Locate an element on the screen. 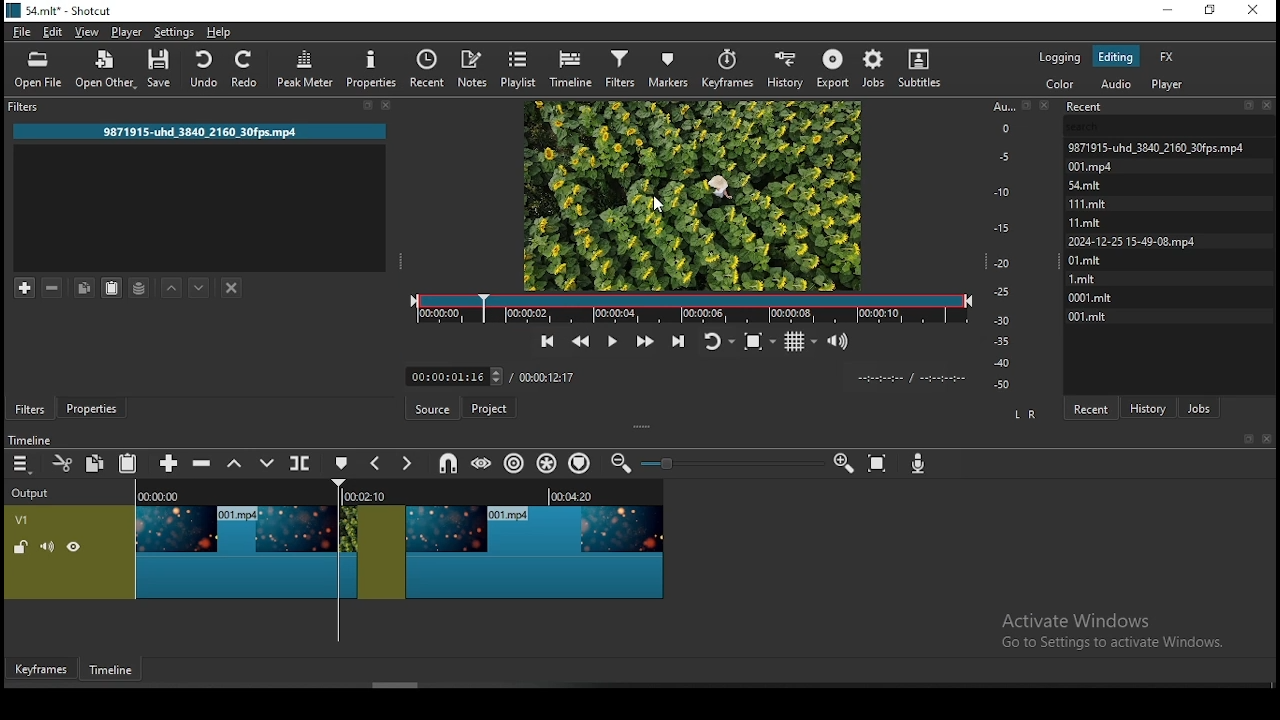 The width and height of the screenshot is (1280, 720). keyframe is located at coordinates (43, 669).